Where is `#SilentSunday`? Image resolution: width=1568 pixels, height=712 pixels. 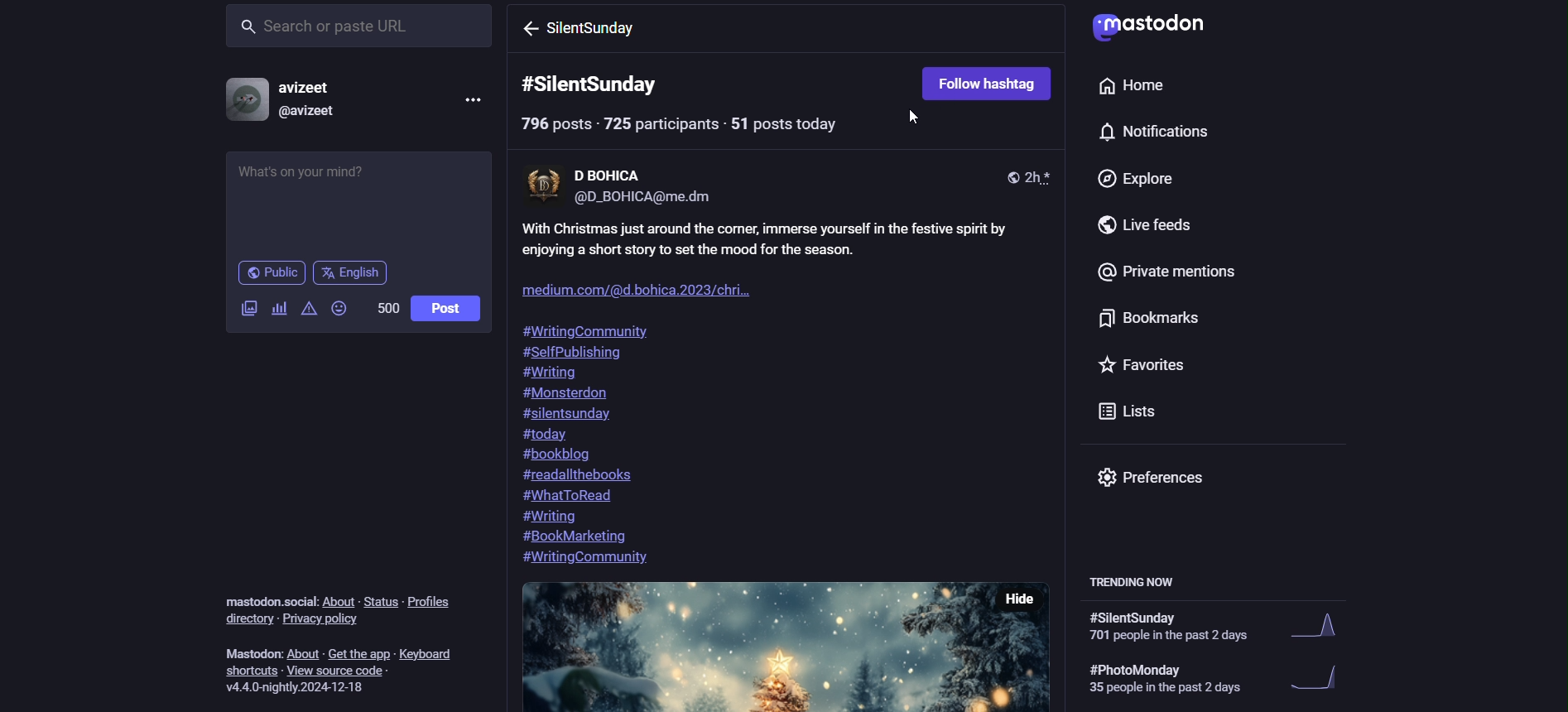
#SilentSunday is located at coordinates (594, 83).